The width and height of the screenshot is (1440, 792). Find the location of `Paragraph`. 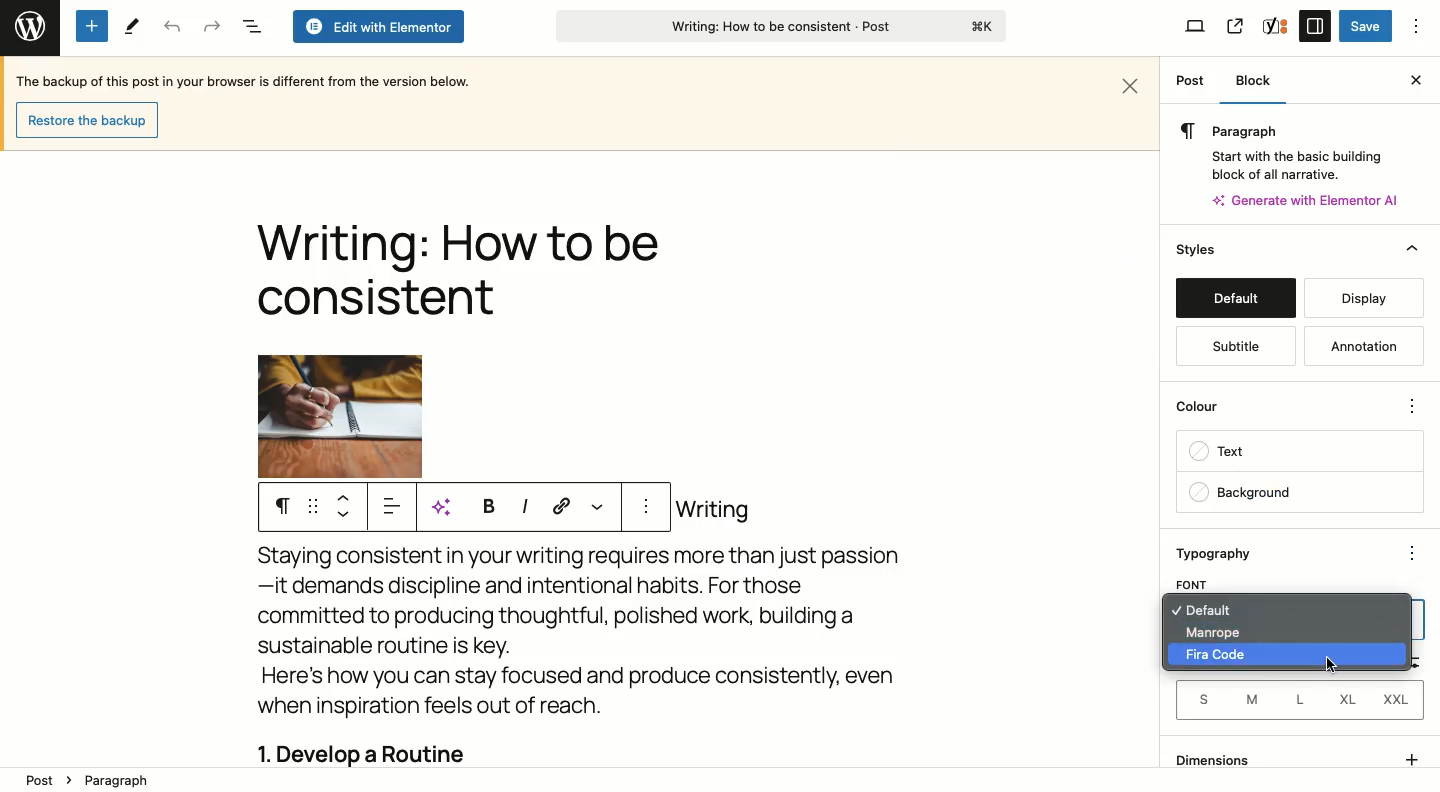

Paragraph is located at coordinates (282, 507).